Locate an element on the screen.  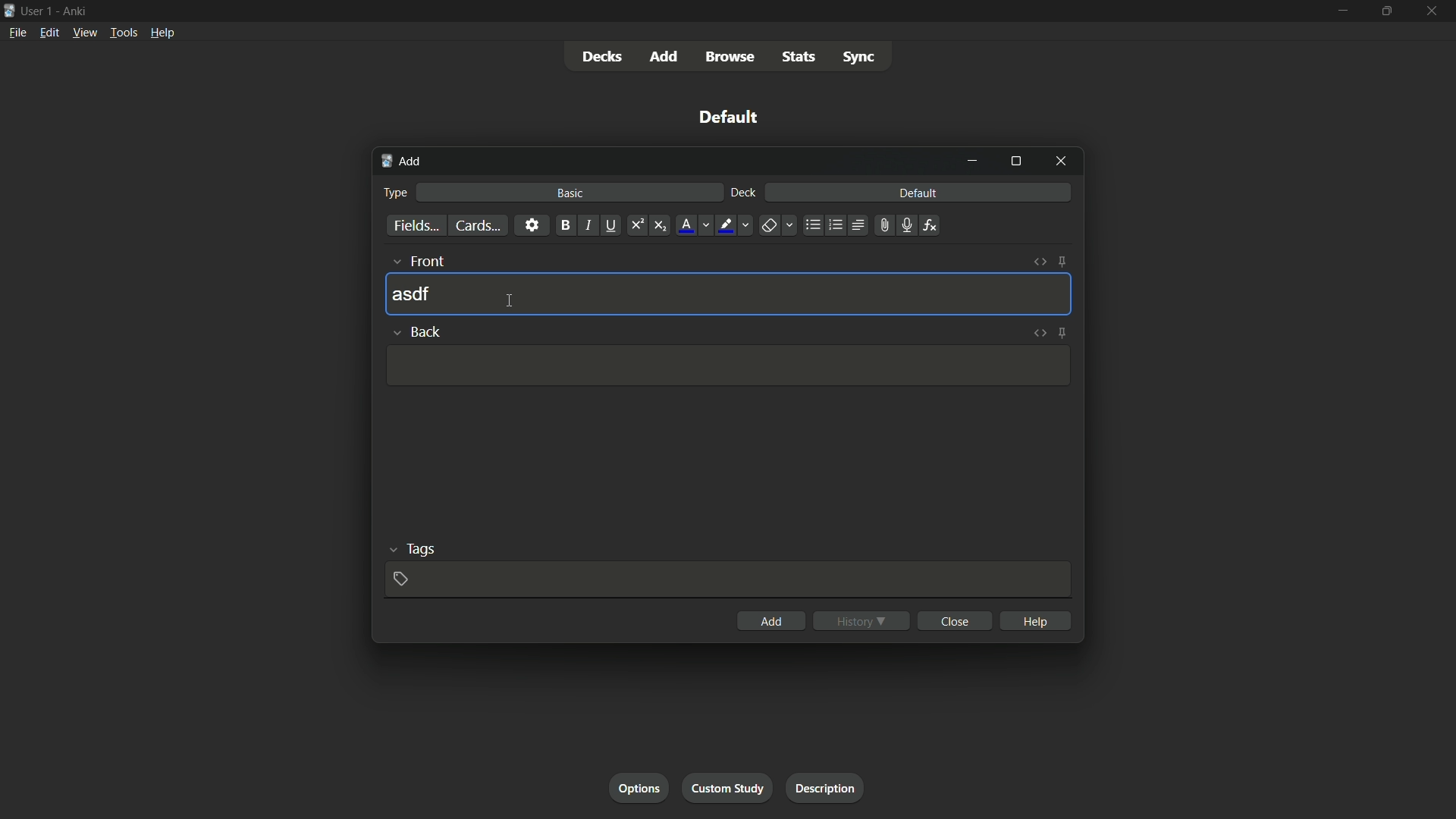
custom study is located at coordinates (726, 788).